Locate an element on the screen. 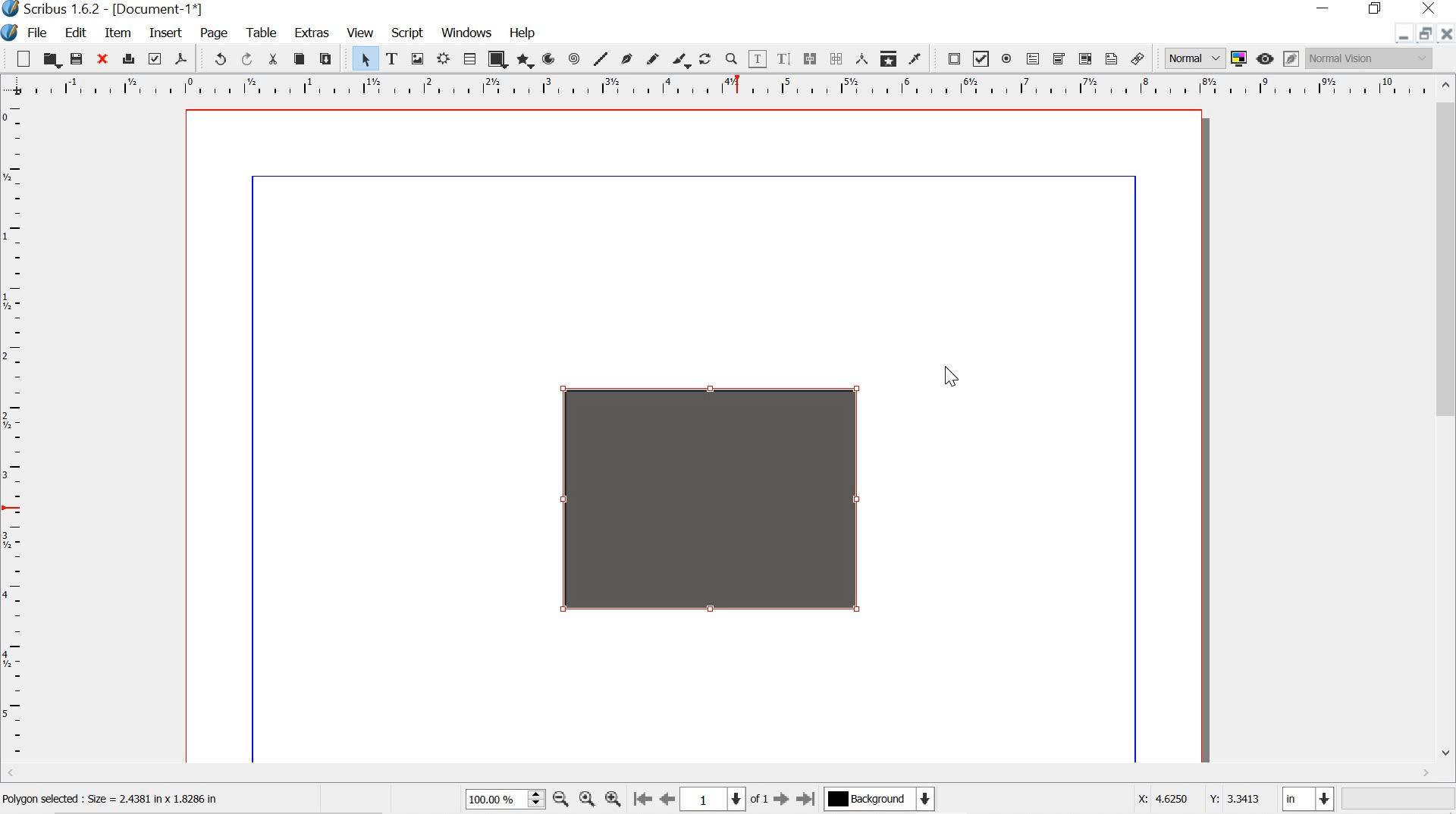  edit text with story editor is located at coordinates (786, 60).